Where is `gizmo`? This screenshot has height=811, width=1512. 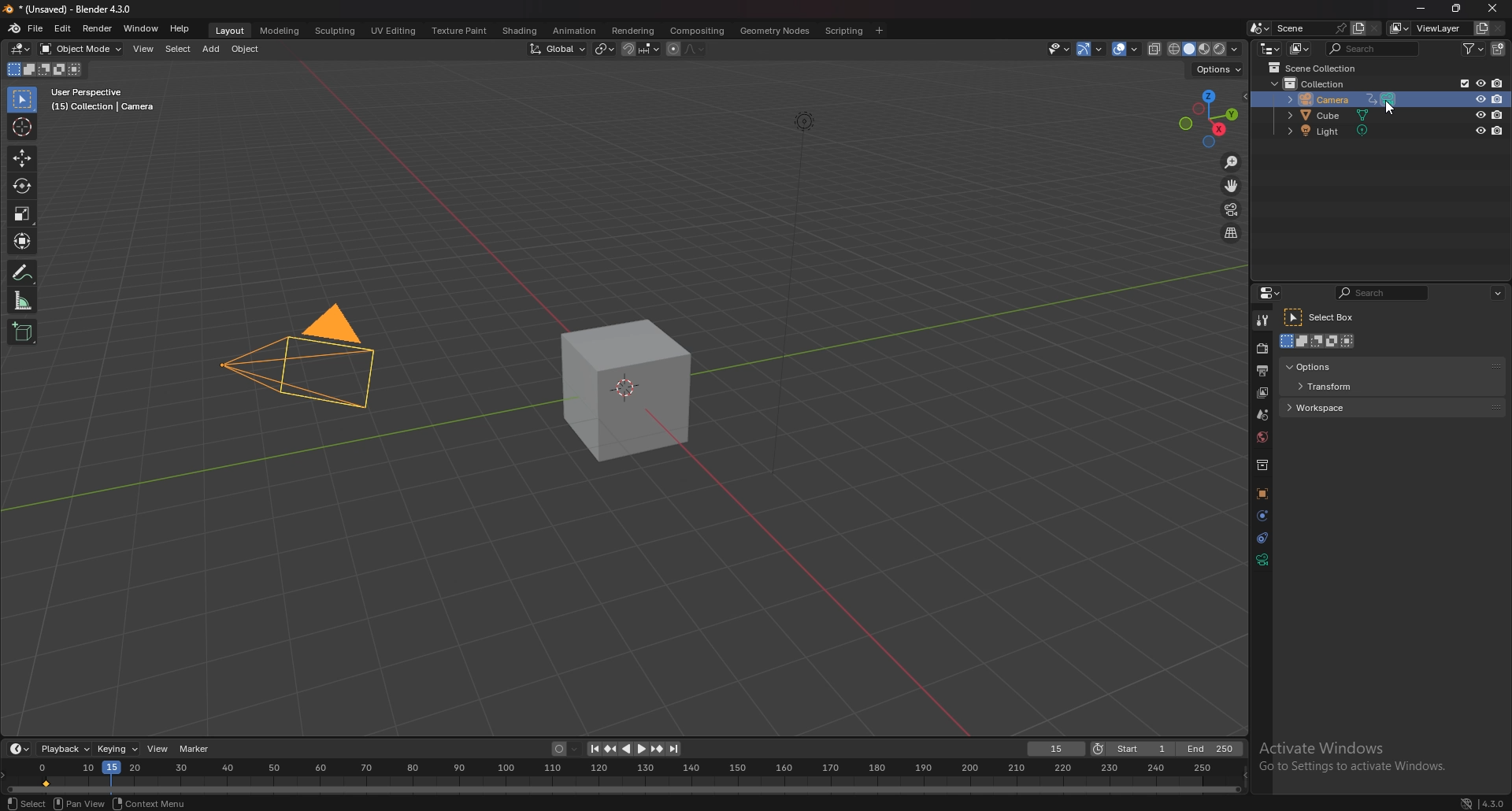
gizmo is located at coordinates (1091, 49).